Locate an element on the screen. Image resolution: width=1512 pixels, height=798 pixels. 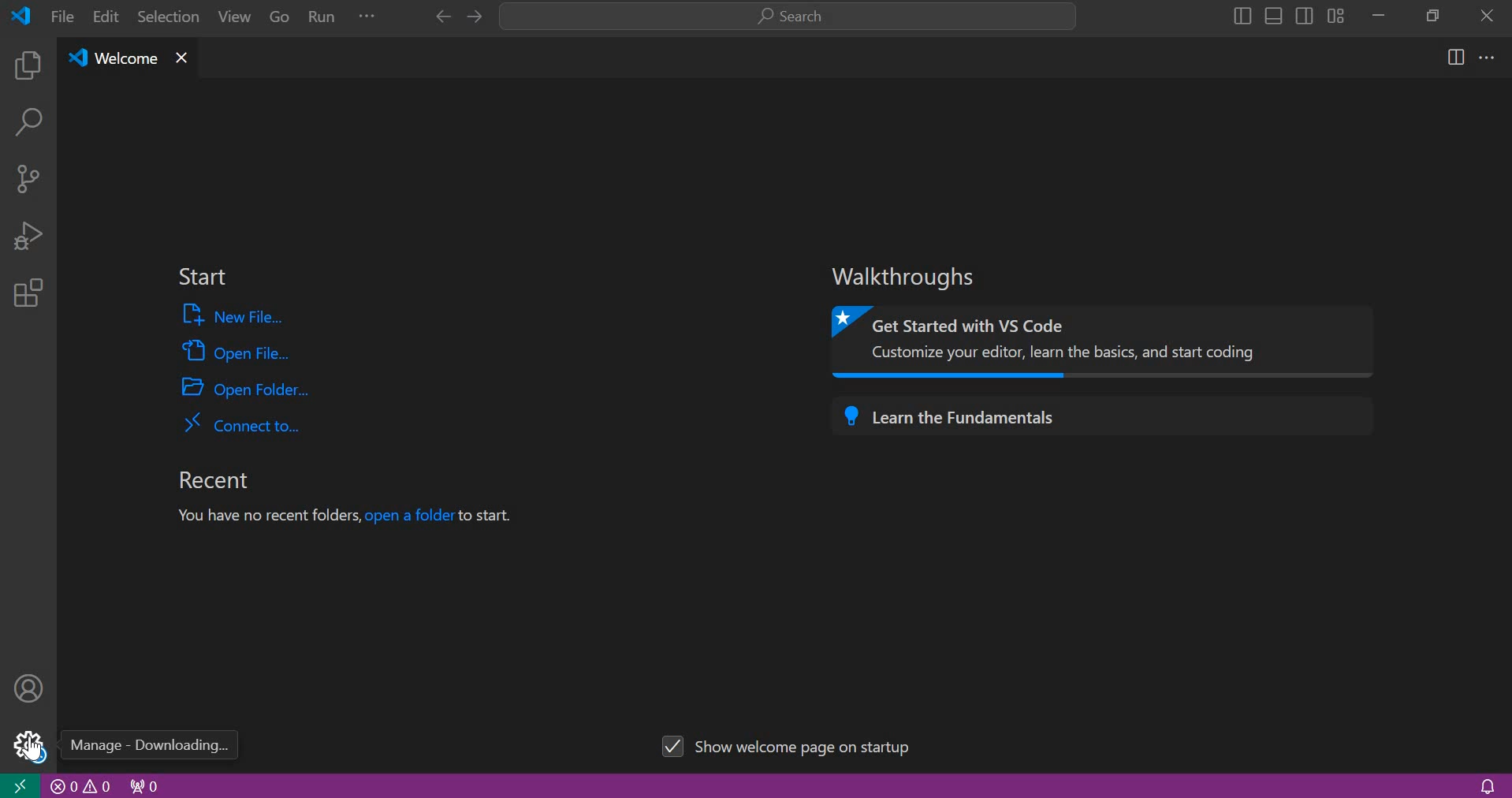
learn the fundamentals is located at coordinates (1100, 413).